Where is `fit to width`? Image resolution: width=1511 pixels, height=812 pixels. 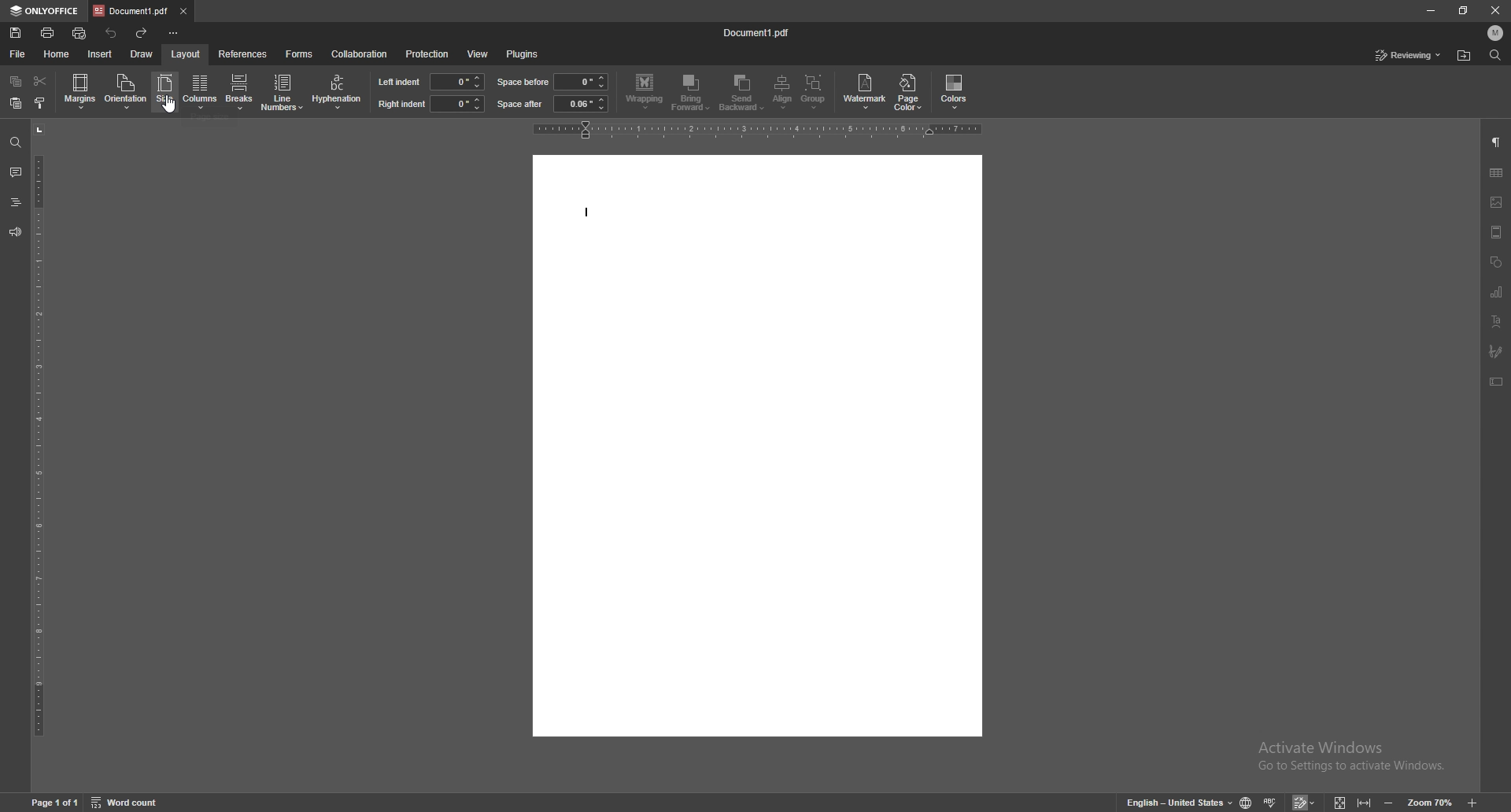
fit to width is located at coordinates (1366, 802).